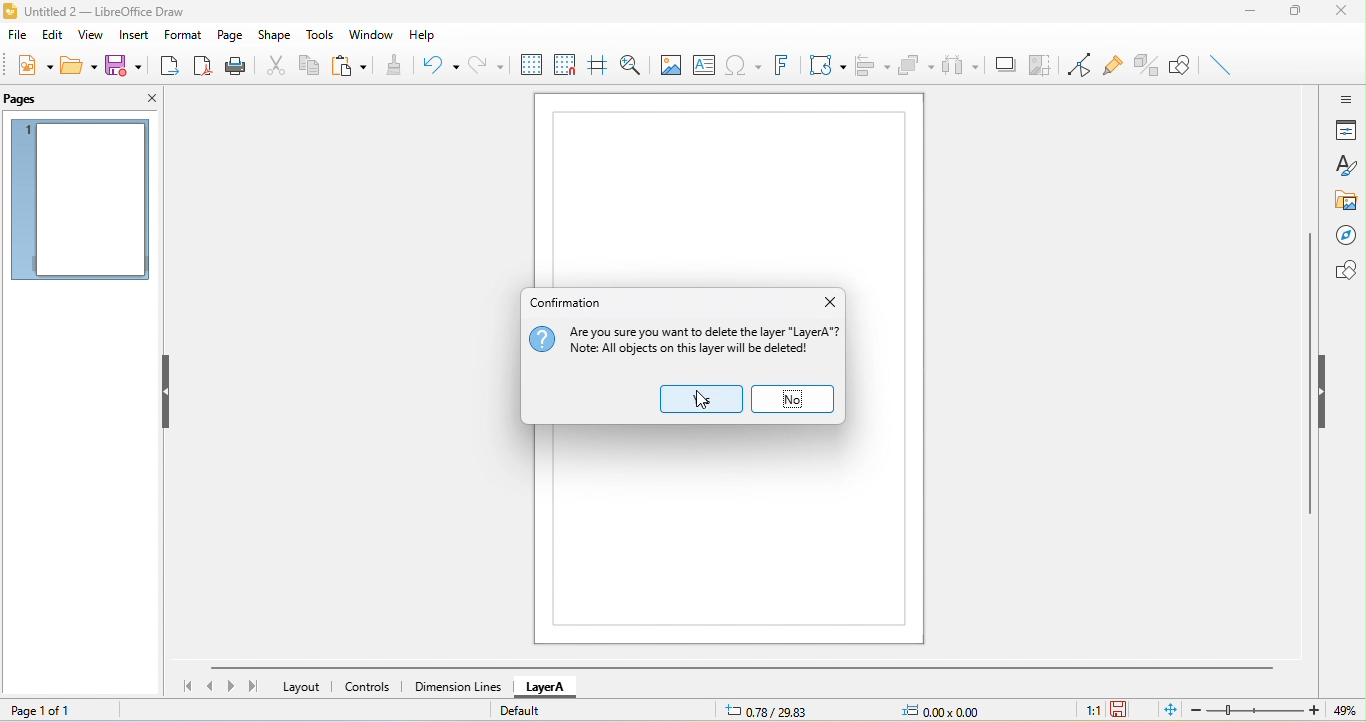 The height and width of the screenshot is (722, 1366). I want to click on shapes, so click(1342, 269).